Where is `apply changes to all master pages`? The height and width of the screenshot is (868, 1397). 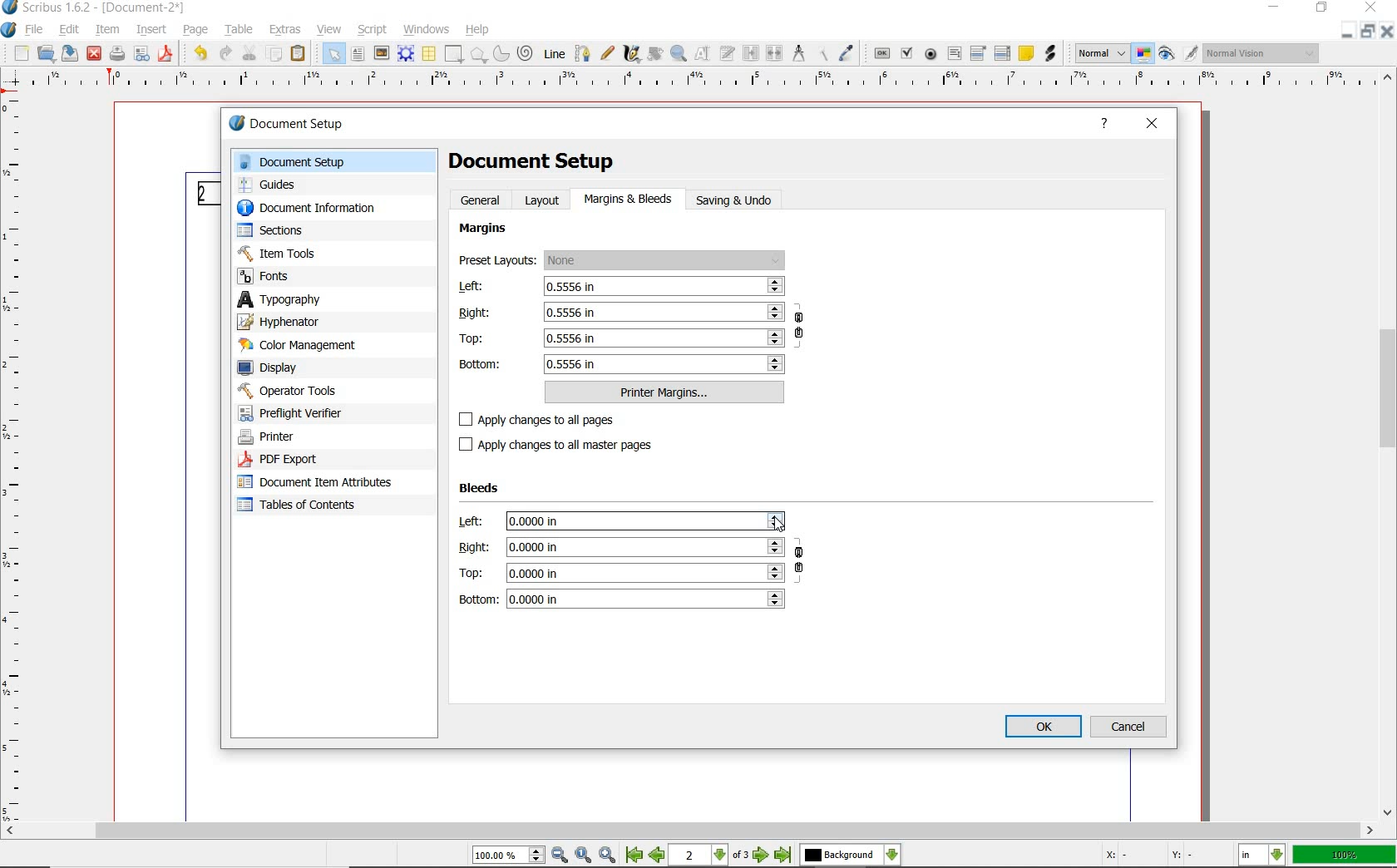
apply changes to all master pages is located at coordinates (565, 445).